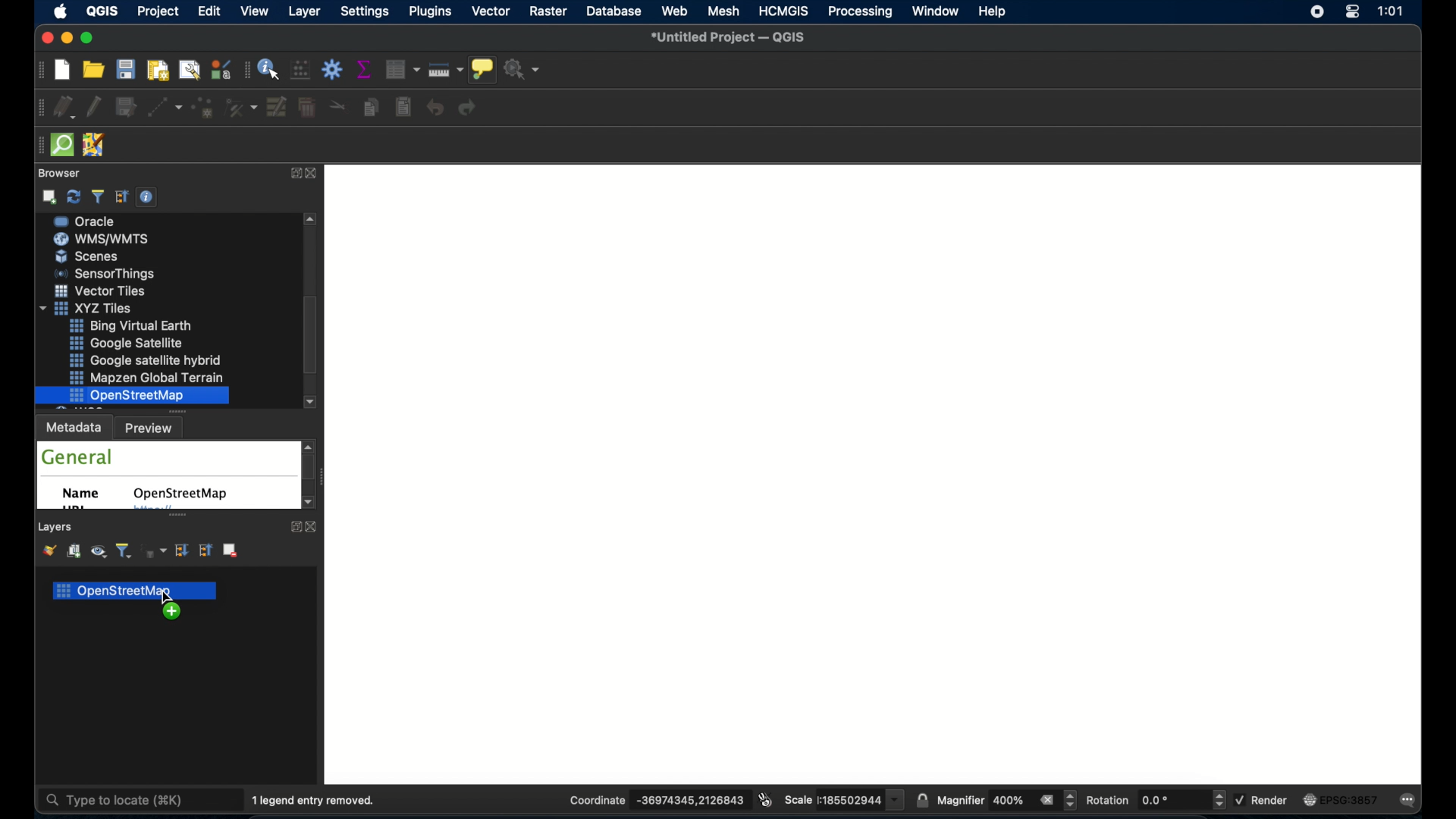  I want to click on screen recorder, so click(1315, 11).